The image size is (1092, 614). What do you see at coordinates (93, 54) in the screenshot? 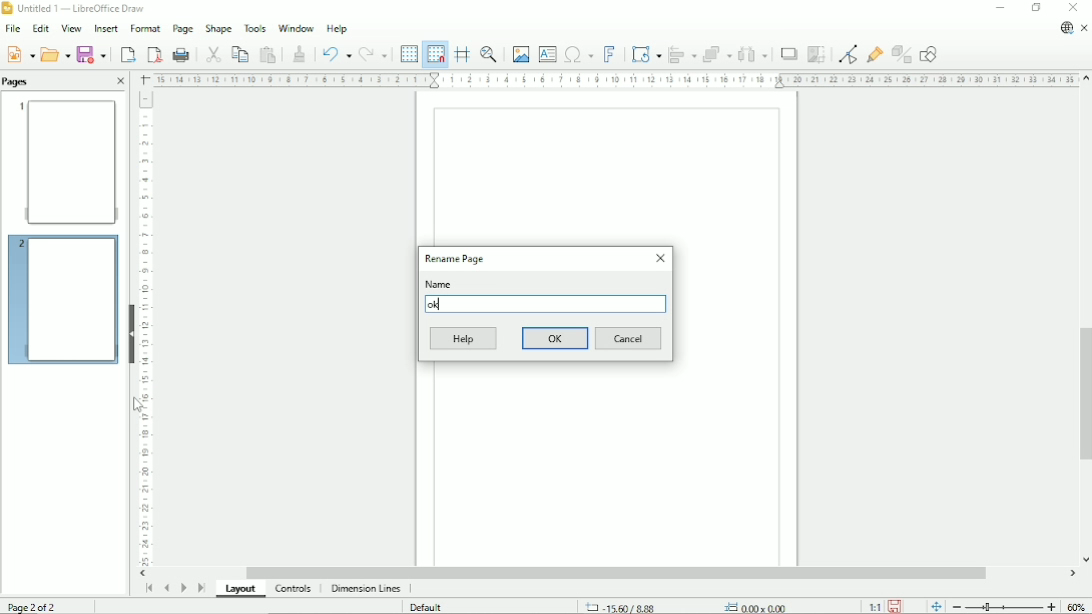
I see `Save` at bounding box center [93, 54].